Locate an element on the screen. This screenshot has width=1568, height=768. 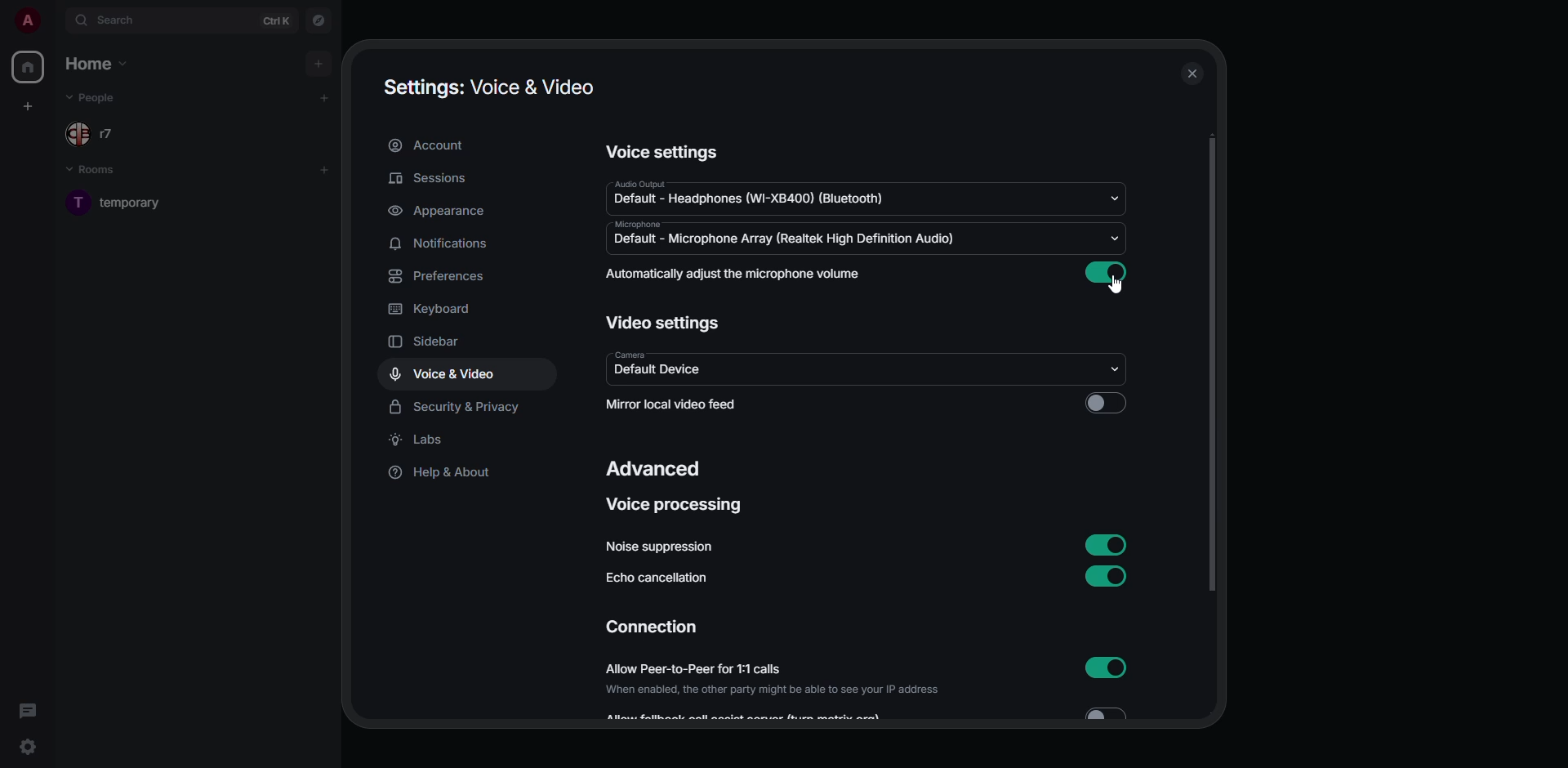
search is located at coordinates (118, 19).